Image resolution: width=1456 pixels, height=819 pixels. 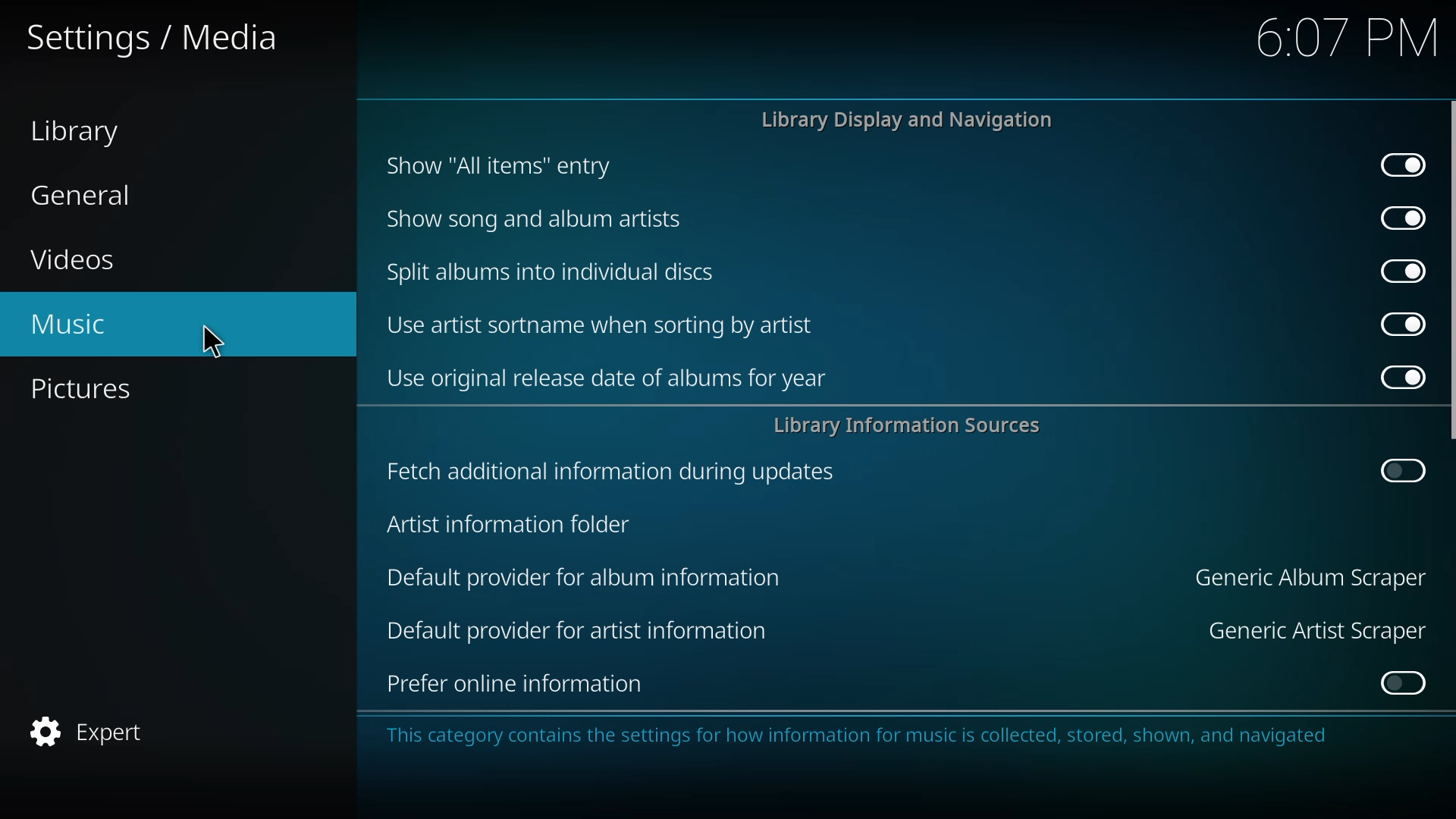 I want to click on pictures, so click(x=96, y=388).